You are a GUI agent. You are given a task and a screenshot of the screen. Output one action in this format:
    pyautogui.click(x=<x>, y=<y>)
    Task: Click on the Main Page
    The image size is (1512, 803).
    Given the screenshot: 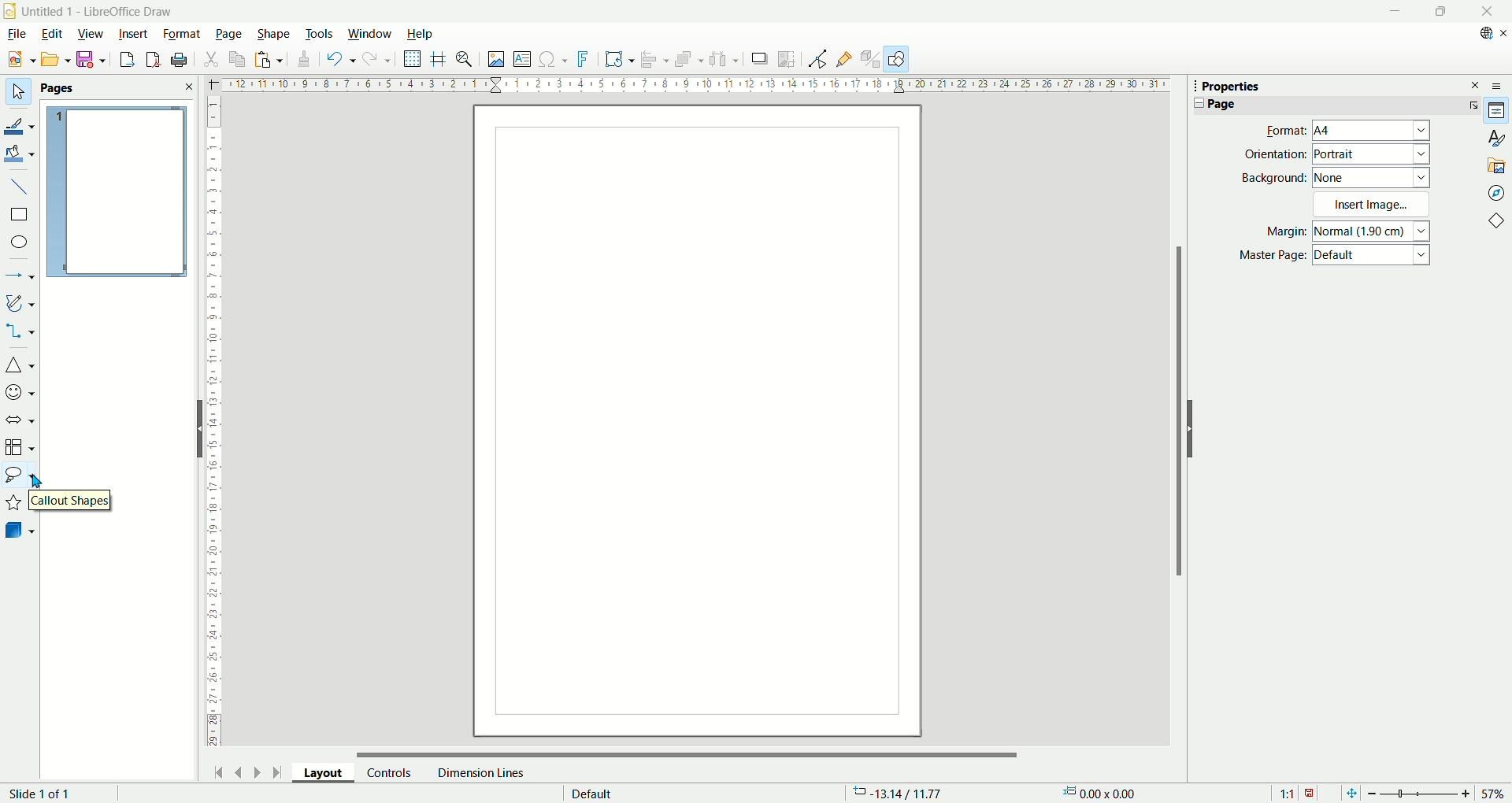 What is the action you would take?
    pyautogui.click(x=697, y=420)
    